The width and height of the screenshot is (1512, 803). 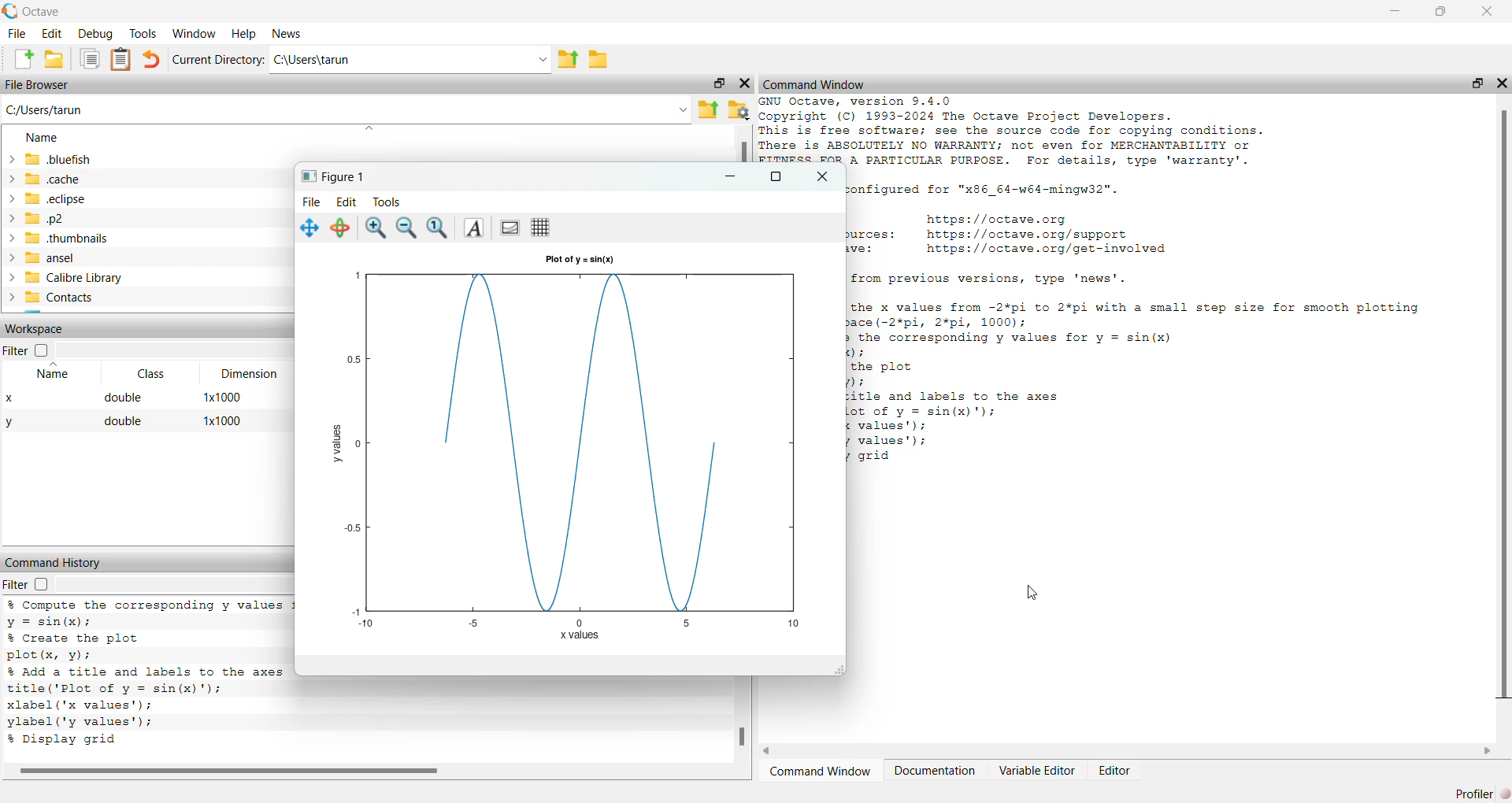 I want to click on scroll bar, so click(x=742, y=150).